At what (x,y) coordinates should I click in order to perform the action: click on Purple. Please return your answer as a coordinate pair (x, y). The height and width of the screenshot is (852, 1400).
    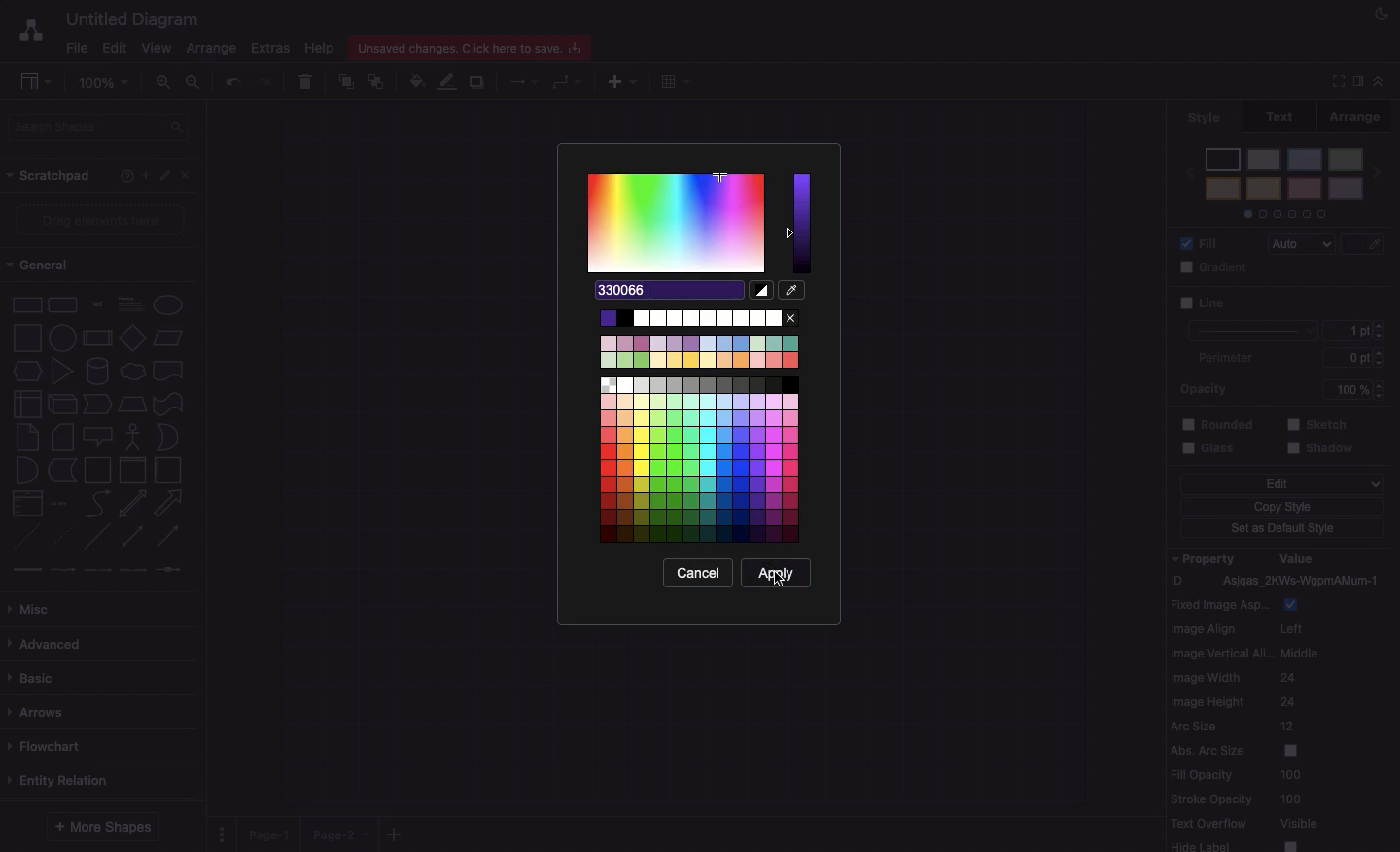
    Looking at the image, I should click on (669, 292).